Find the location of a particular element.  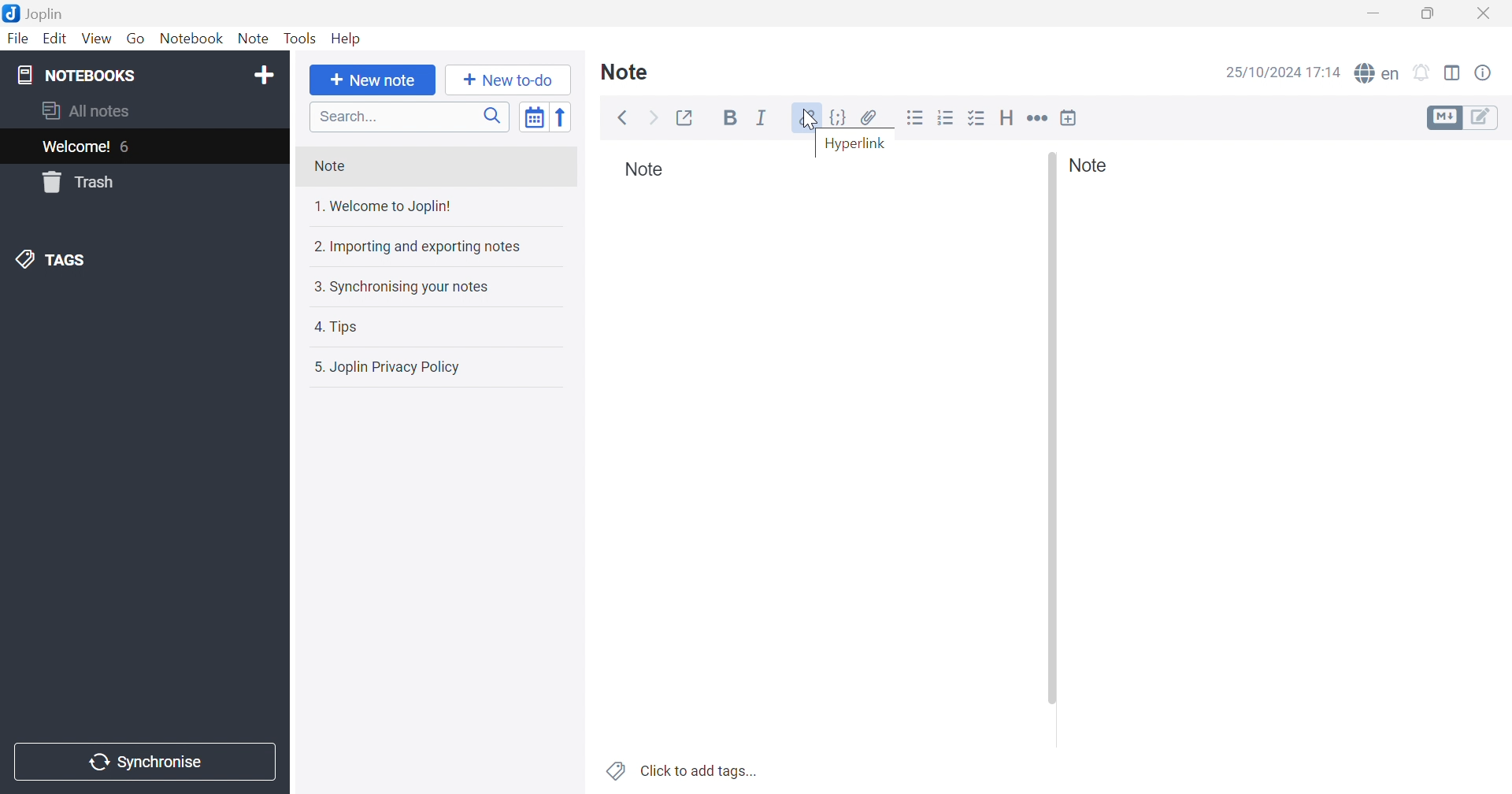

Click to add tags... is located at coordinates (684, 770).